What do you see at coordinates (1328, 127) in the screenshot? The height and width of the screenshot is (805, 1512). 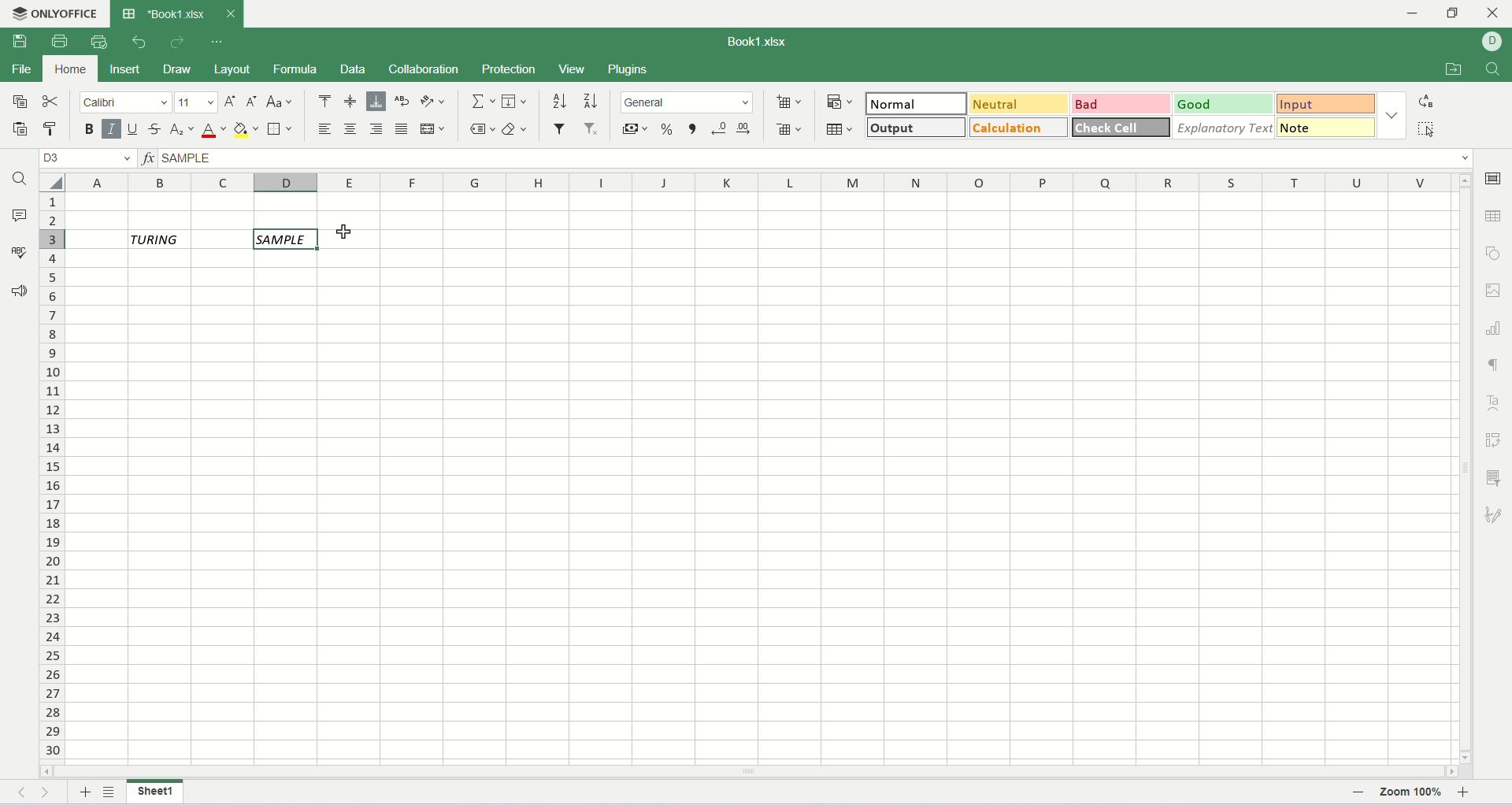 I see `note` at bounding box center [1328, 127].